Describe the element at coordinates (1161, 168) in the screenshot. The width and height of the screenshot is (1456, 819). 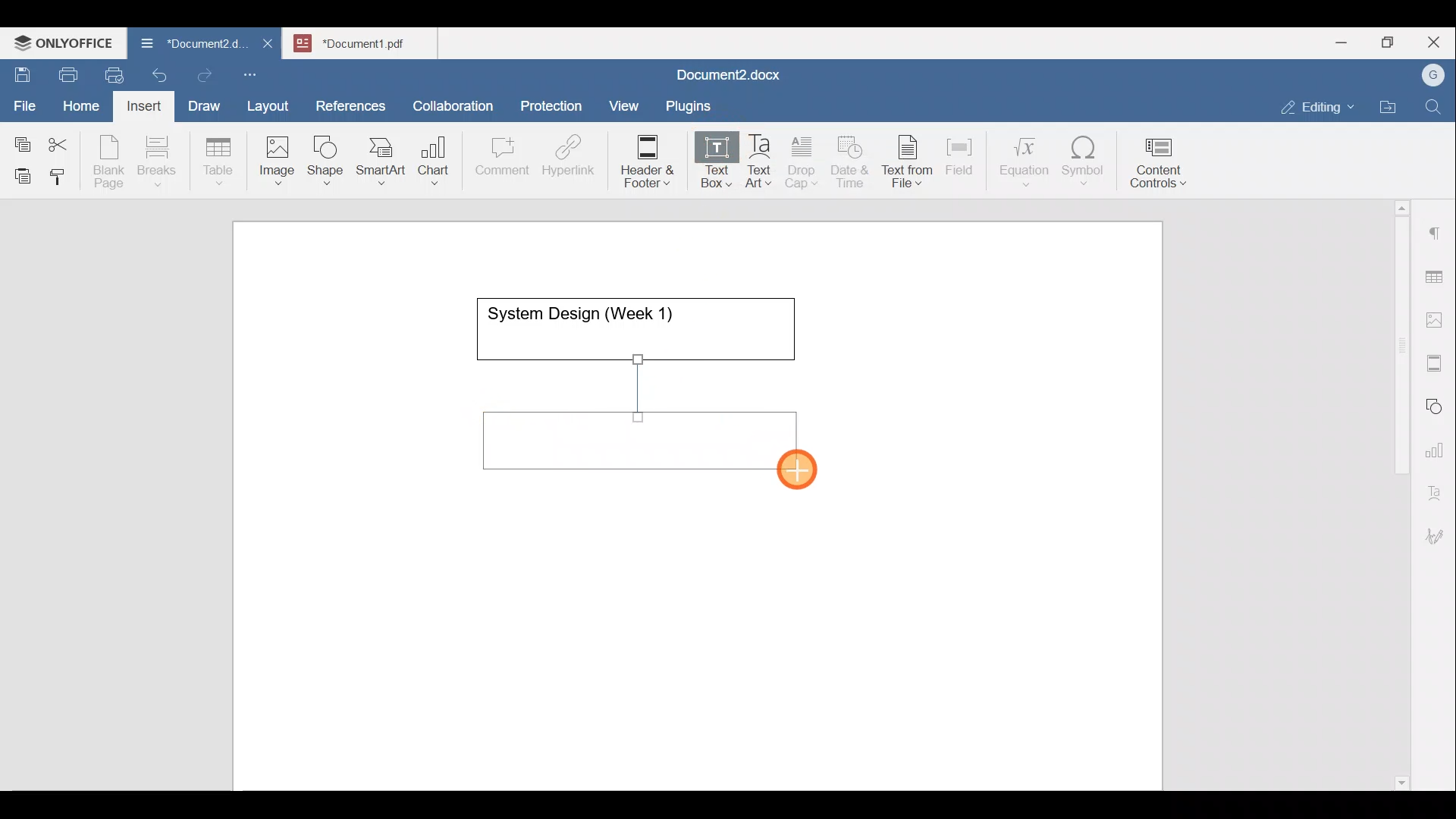
I see `Content controls` at that location.